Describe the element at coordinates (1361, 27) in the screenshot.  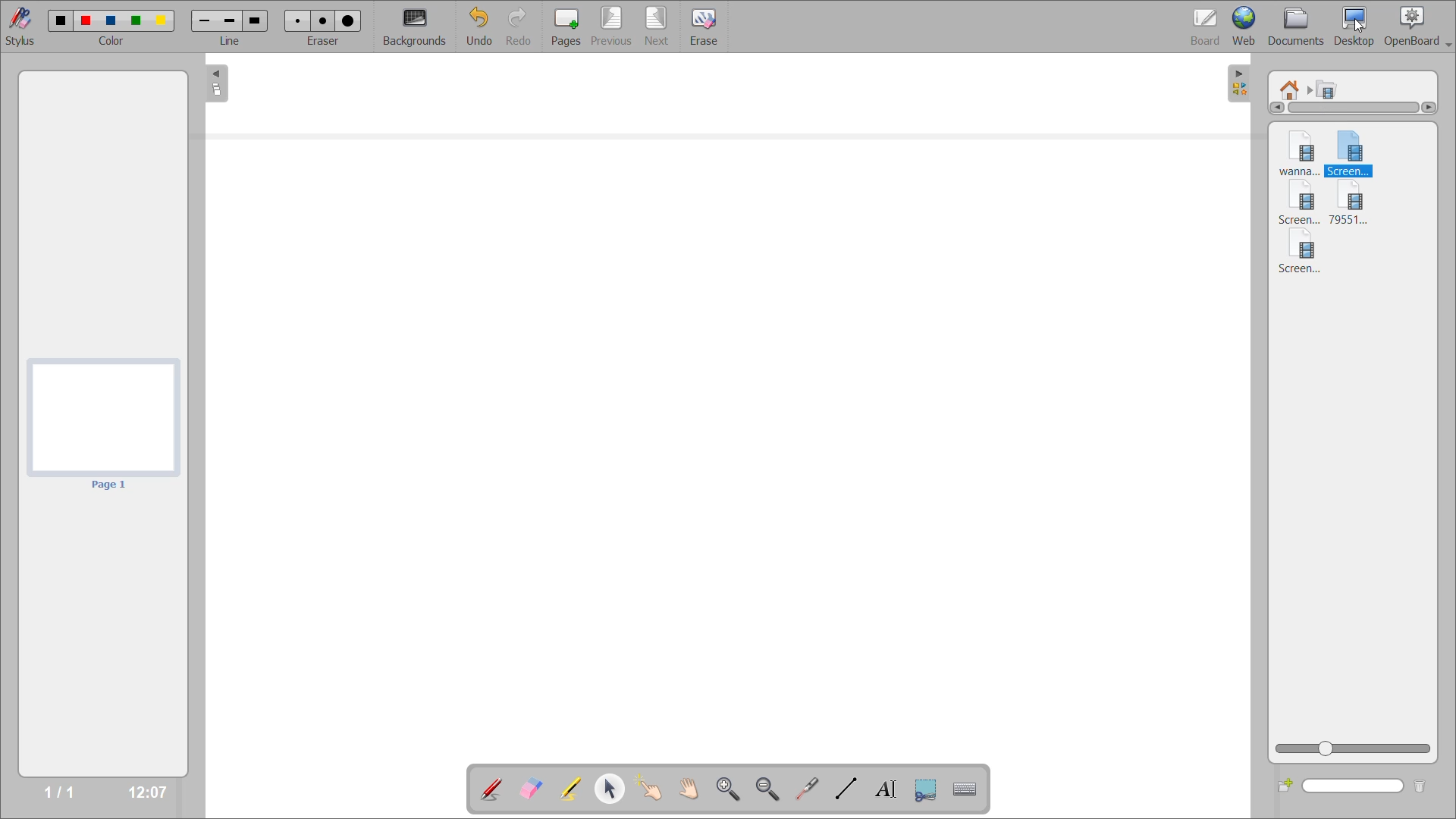
I see `cursor` at that location.